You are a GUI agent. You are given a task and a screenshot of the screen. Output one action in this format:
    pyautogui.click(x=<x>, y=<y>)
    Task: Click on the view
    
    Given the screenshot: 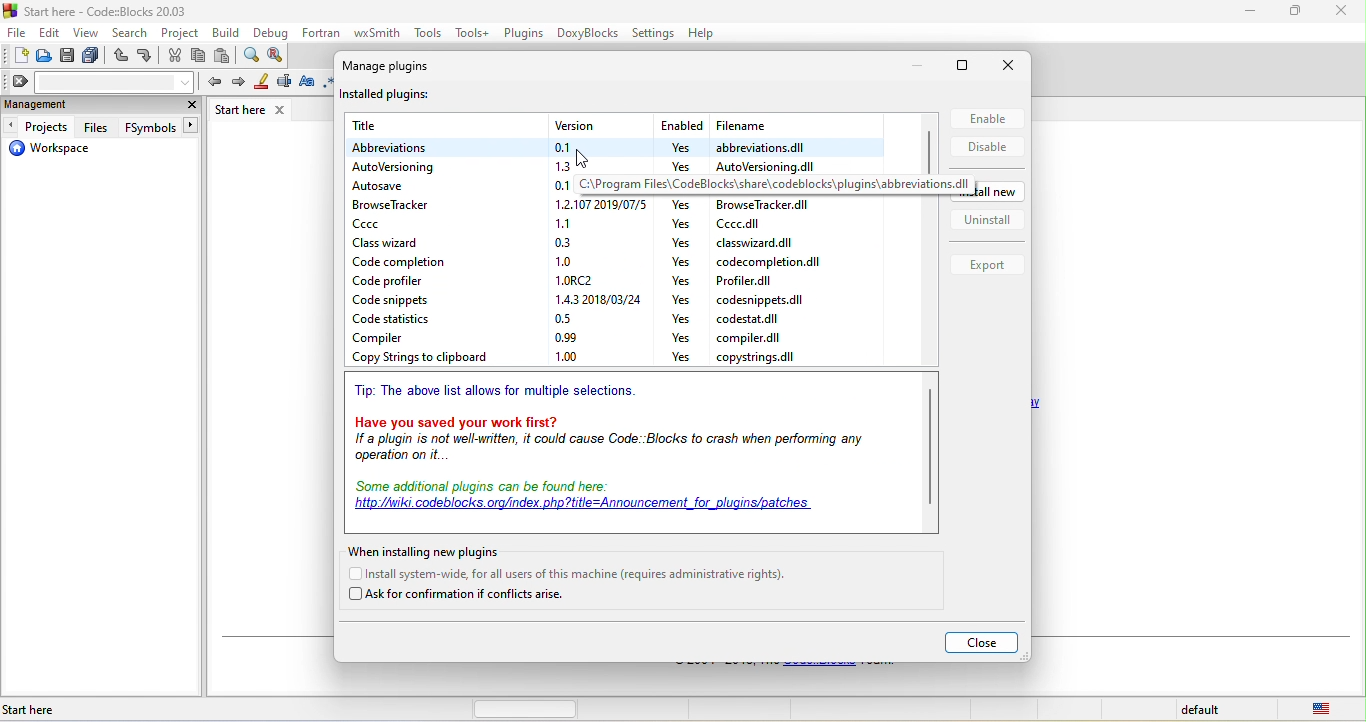 What is the action you would take?
    pyautogui.click(x=86, y=32)
    